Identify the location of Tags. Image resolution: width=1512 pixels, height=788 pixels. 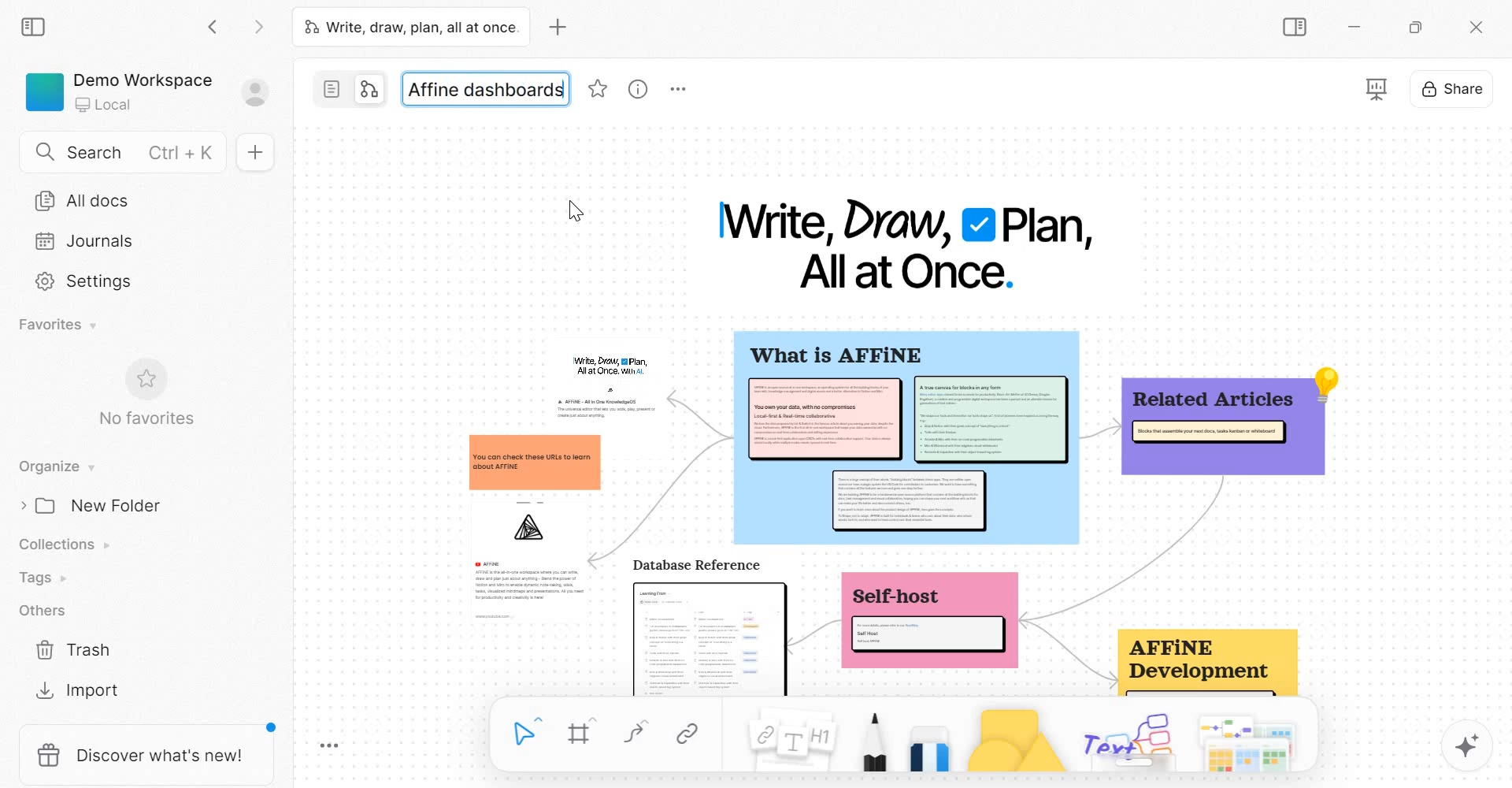
(43, 576).